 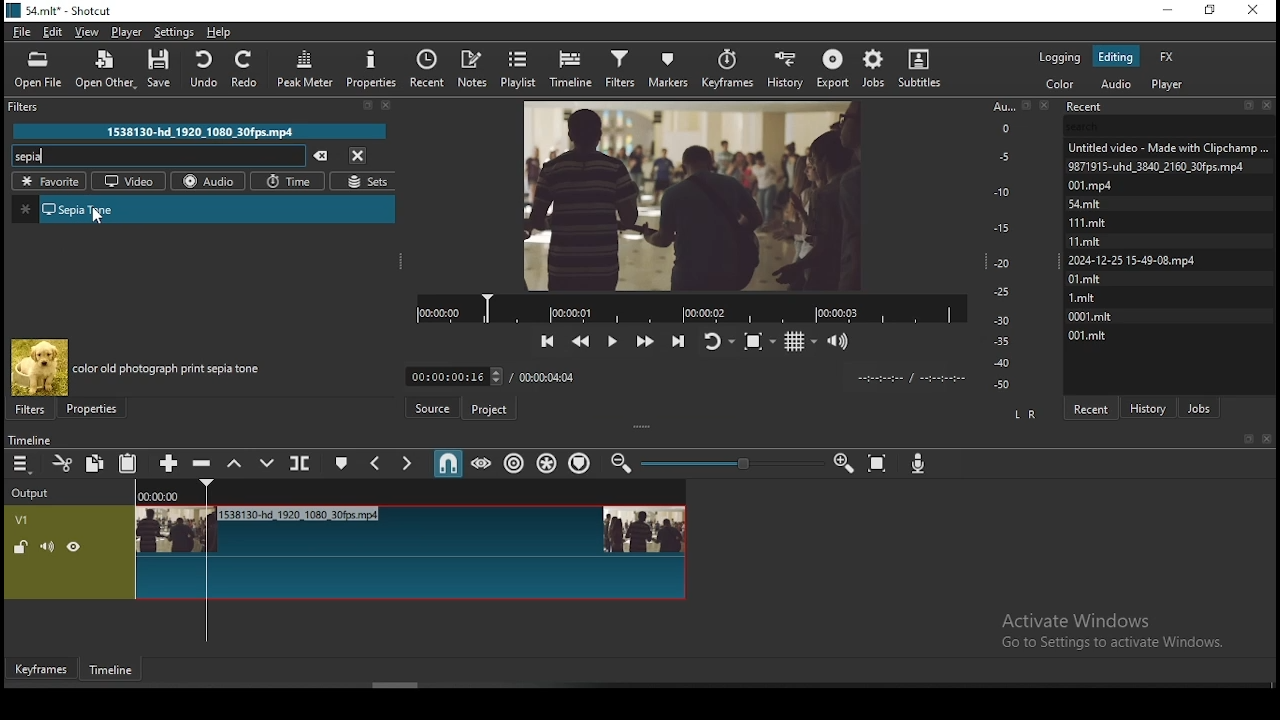 I want to click on save, so click(x=162, y=68).